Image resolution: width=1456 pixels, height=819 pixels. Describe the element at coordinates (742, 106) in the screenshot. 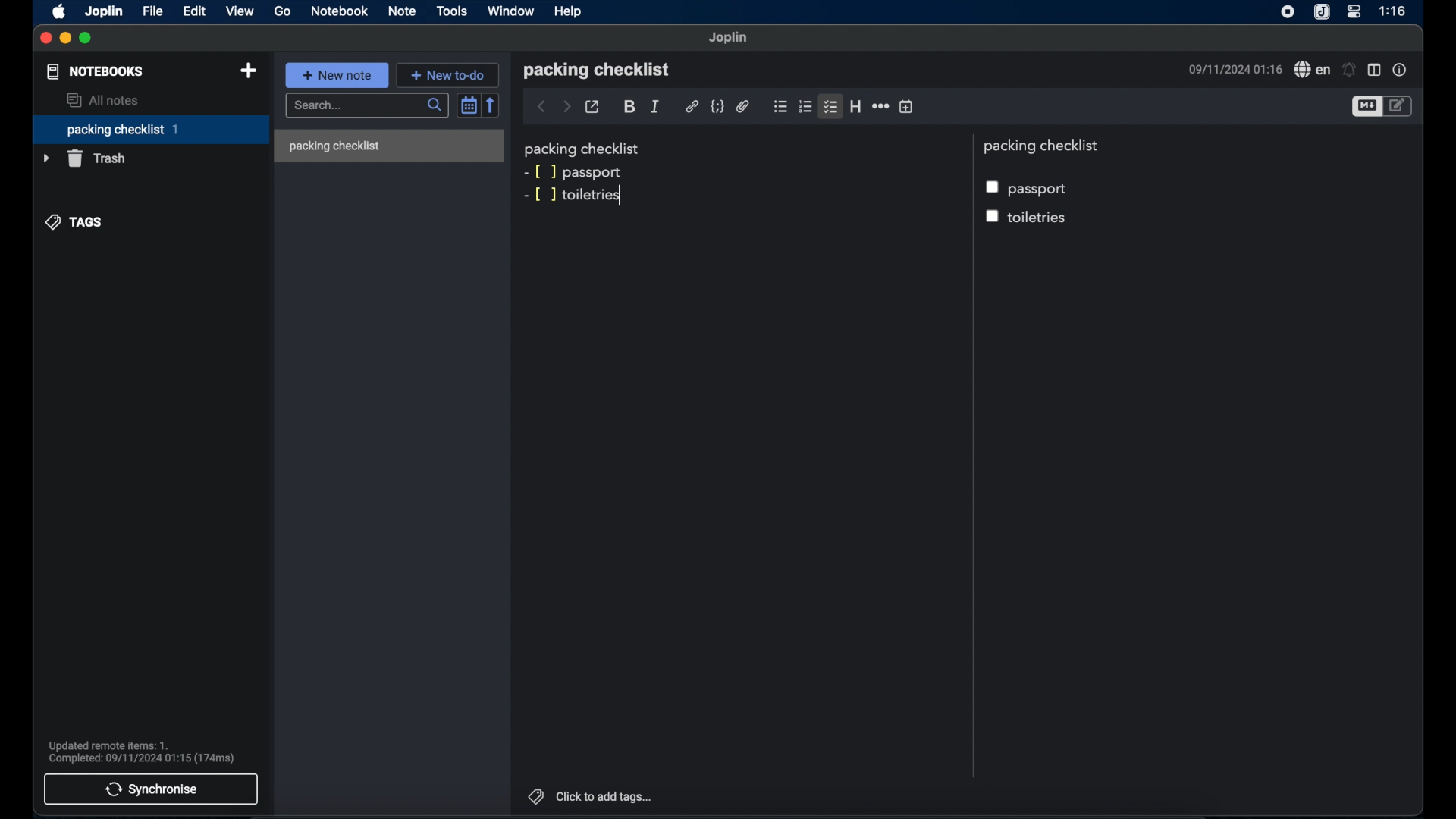

I see `attach file` at that location.